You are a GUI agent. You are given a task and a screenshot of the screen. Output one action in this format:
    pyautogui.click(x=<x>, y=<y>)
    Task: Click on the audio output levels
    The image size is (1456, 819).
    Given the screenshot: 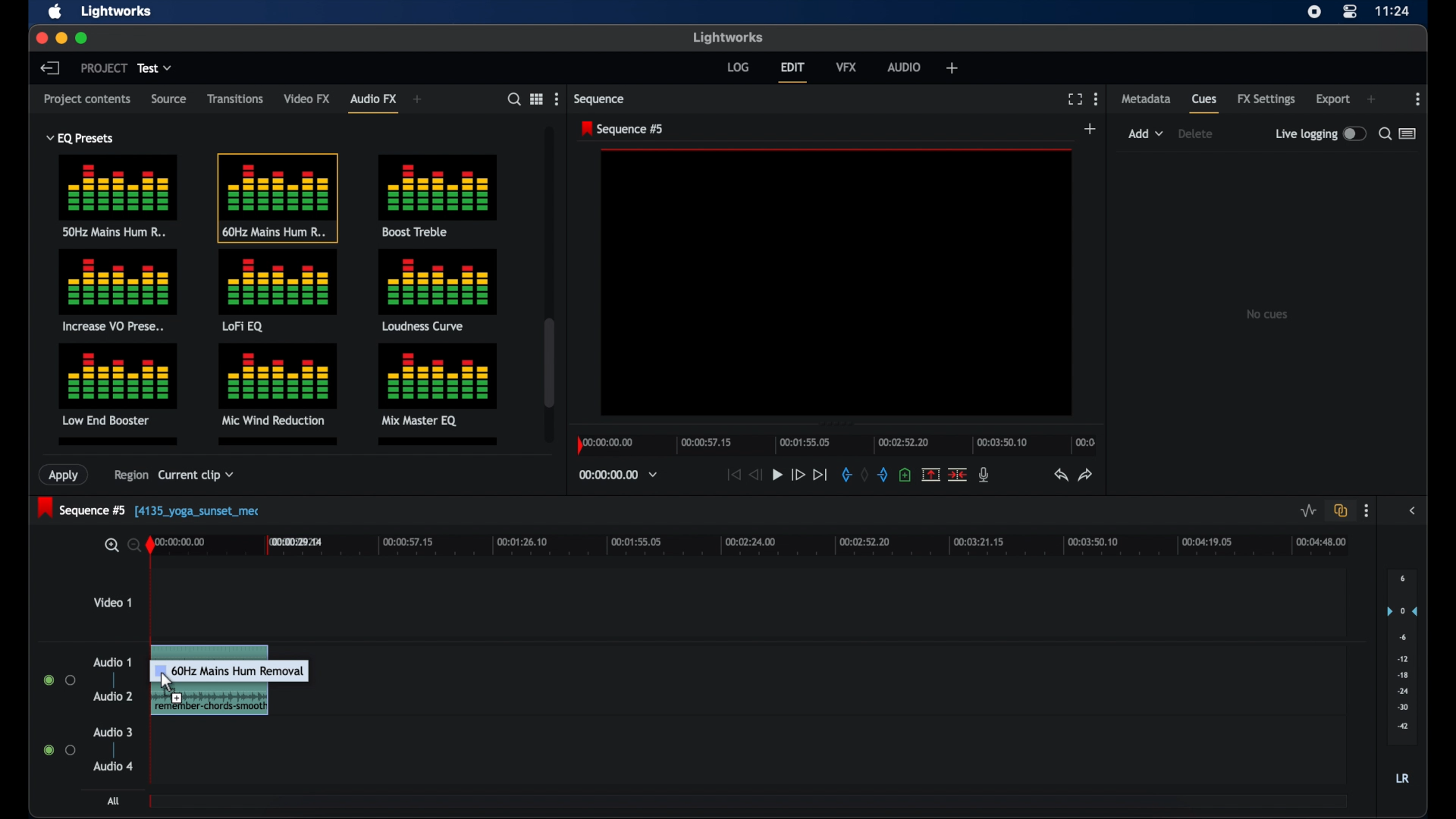 What is the action you would take?
    pyautogui.click(x=1402, y=657)
    